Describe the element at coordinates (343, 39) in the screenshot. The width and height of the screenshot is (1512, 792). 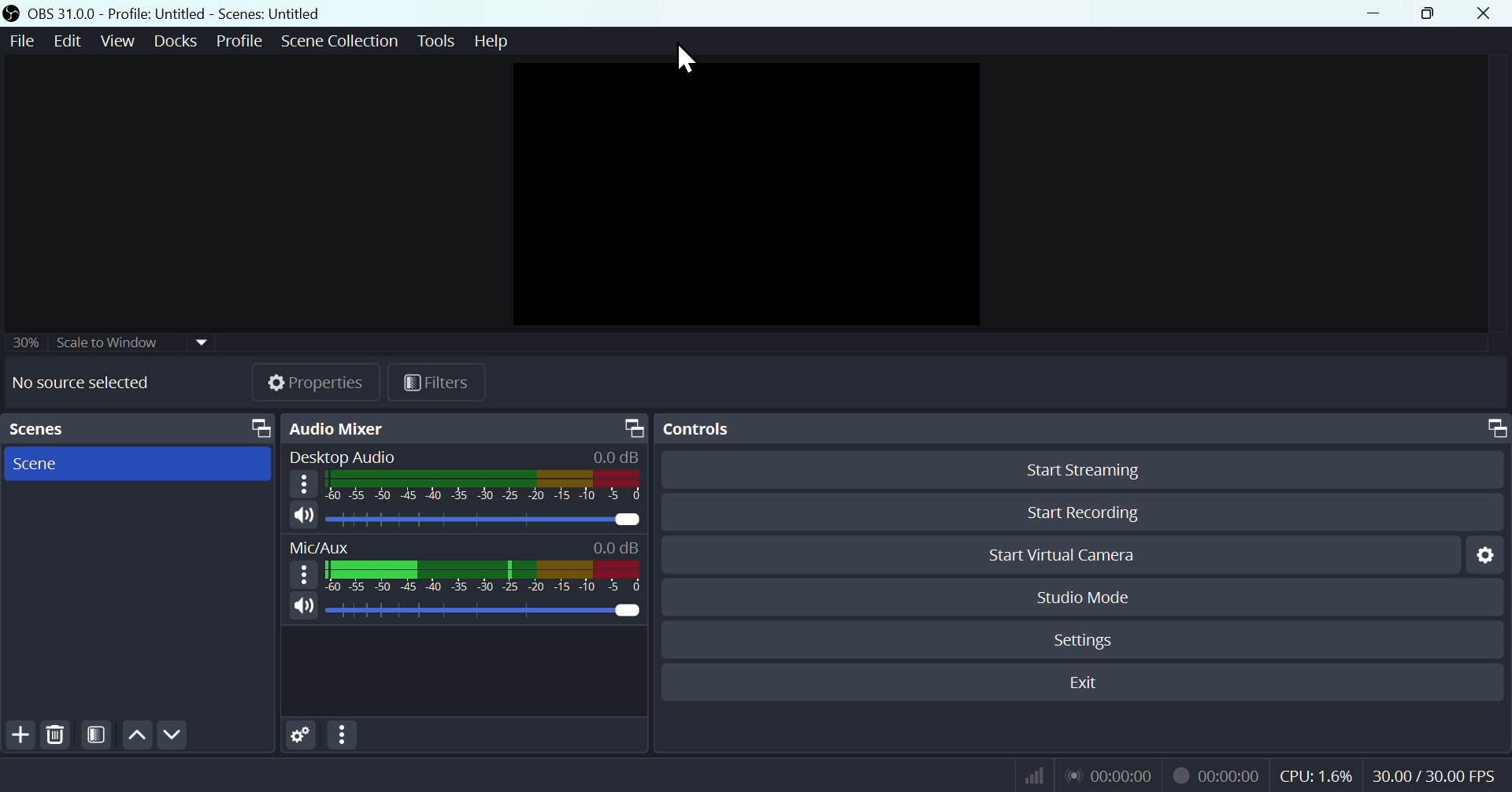
I see `Scene collection` at that location.